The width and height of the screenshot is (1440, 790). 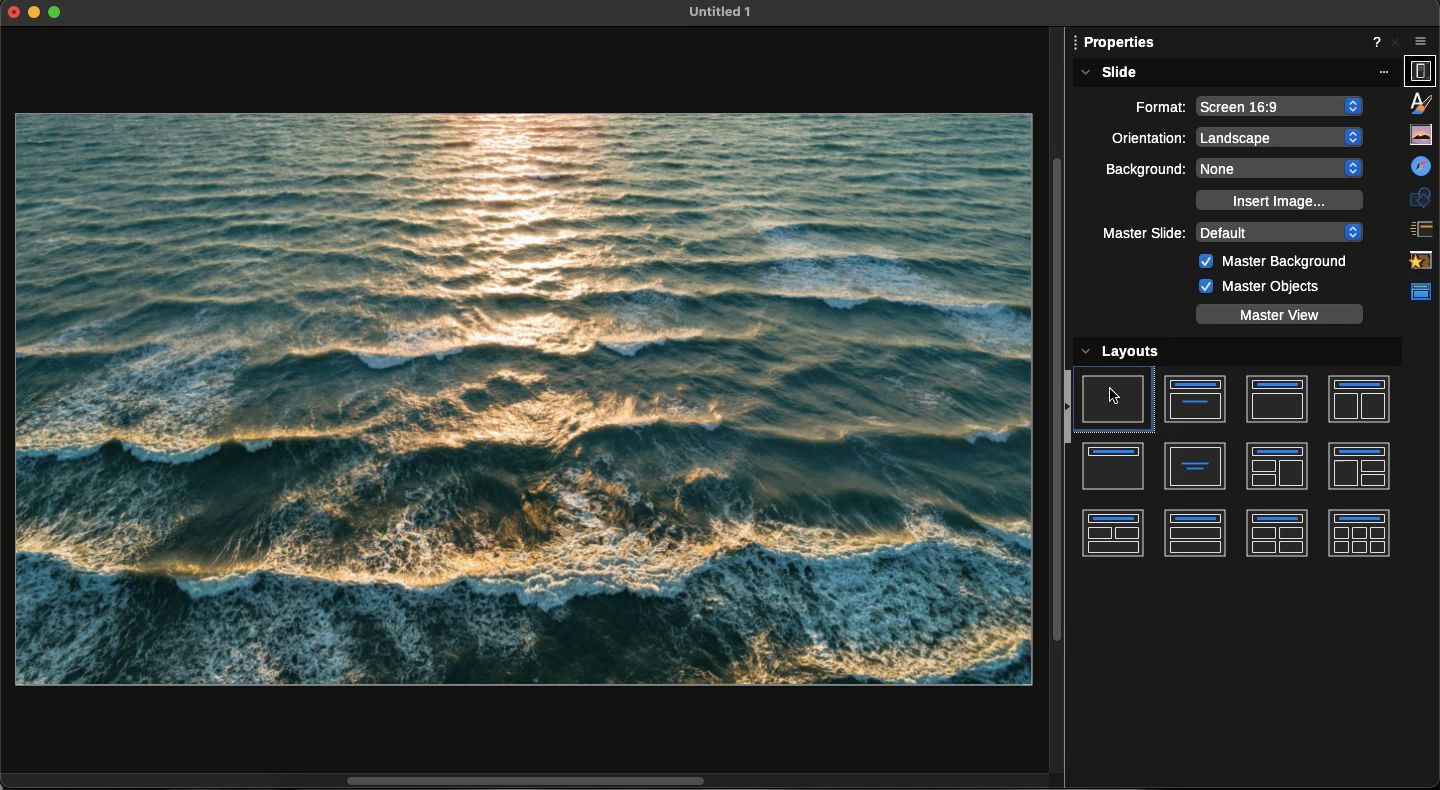 What do you see at coordinates (523, 398) in the screenshot?
I see `New layout on plain slide` at bounding box center [523, 398].